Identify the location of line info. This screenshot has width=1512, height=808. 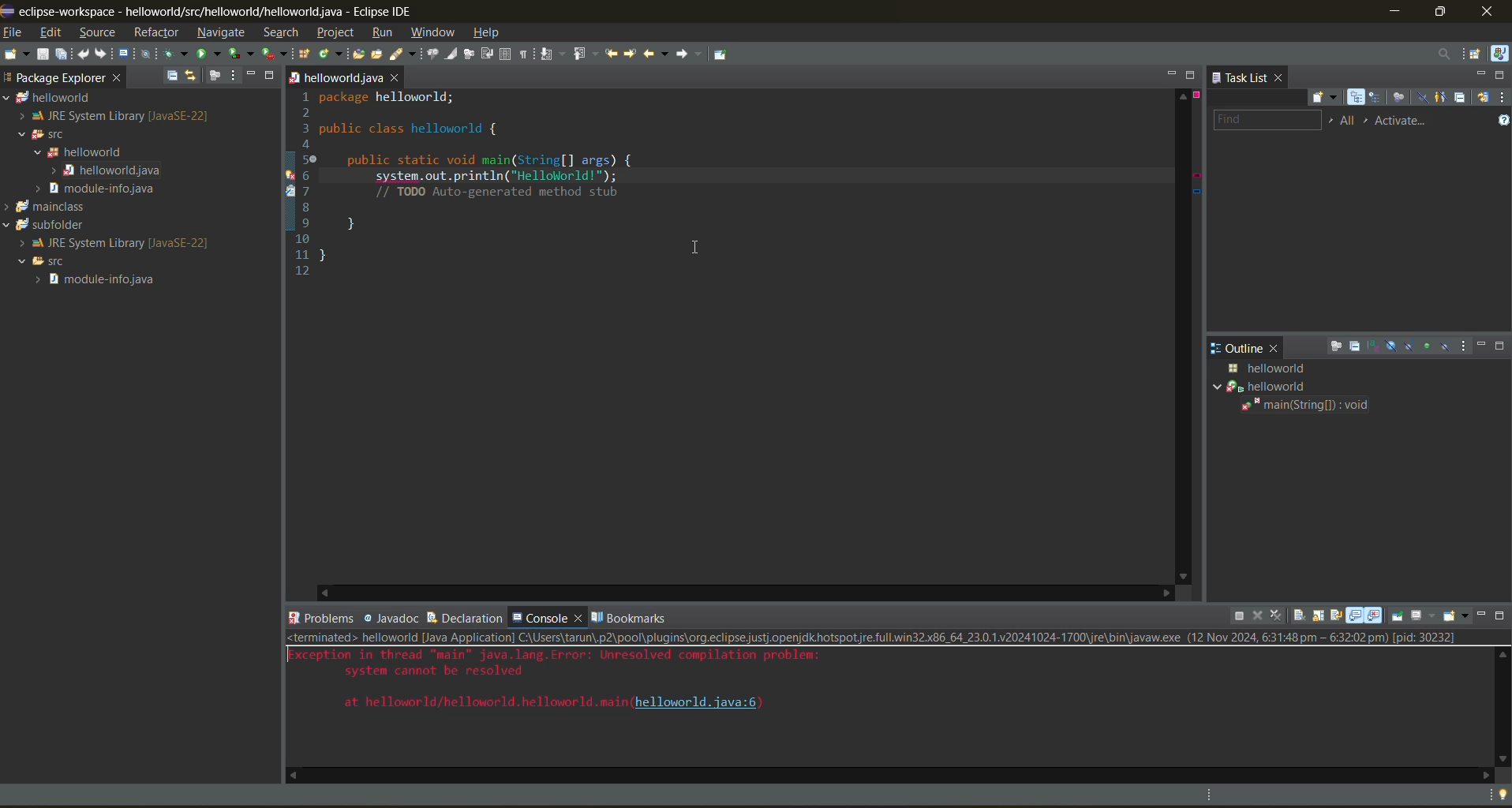
(286, 198).